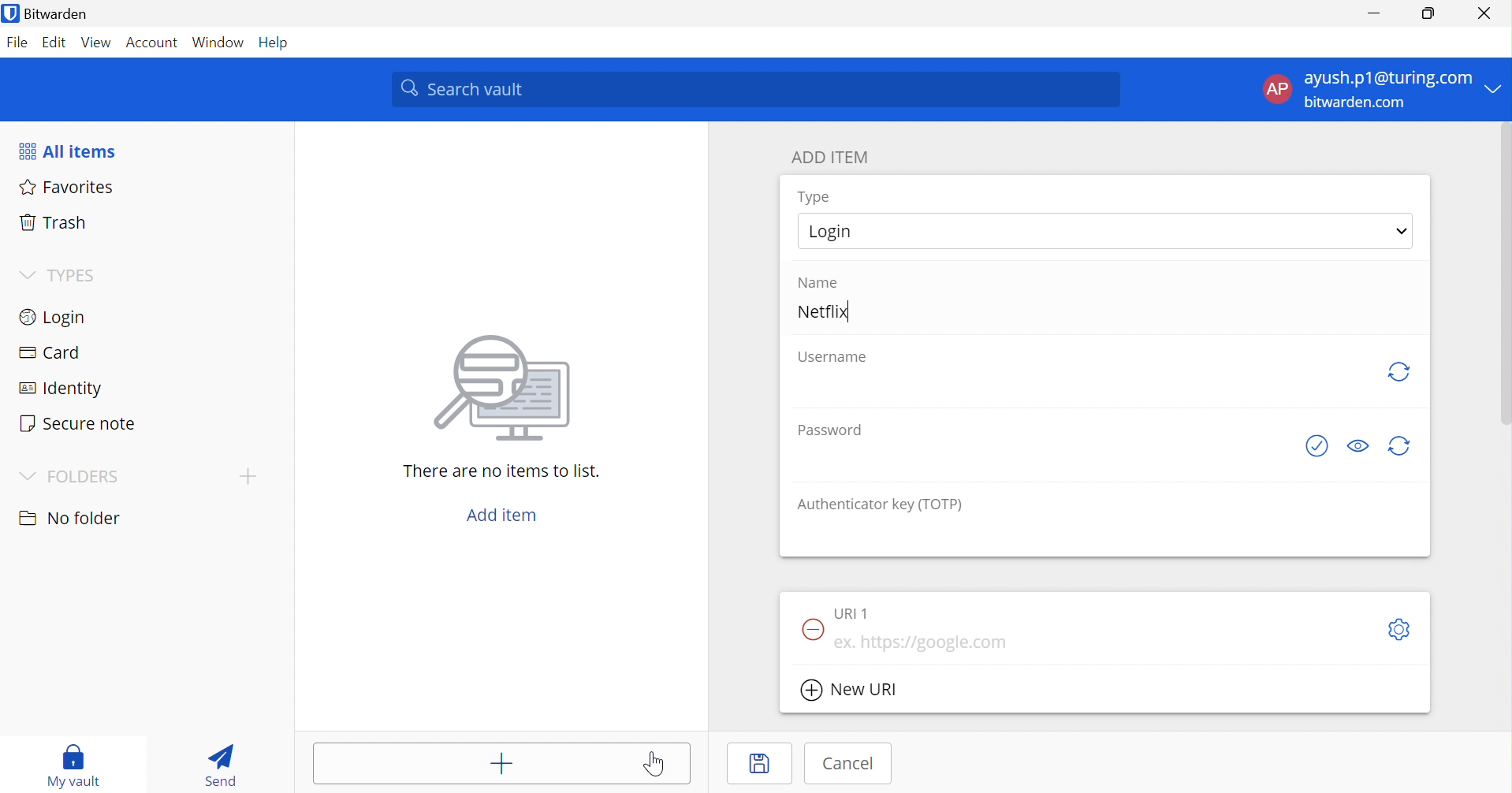  Describe the element at coordinates (1403, 230) in the screenshot. I see `Drop down` at that location.